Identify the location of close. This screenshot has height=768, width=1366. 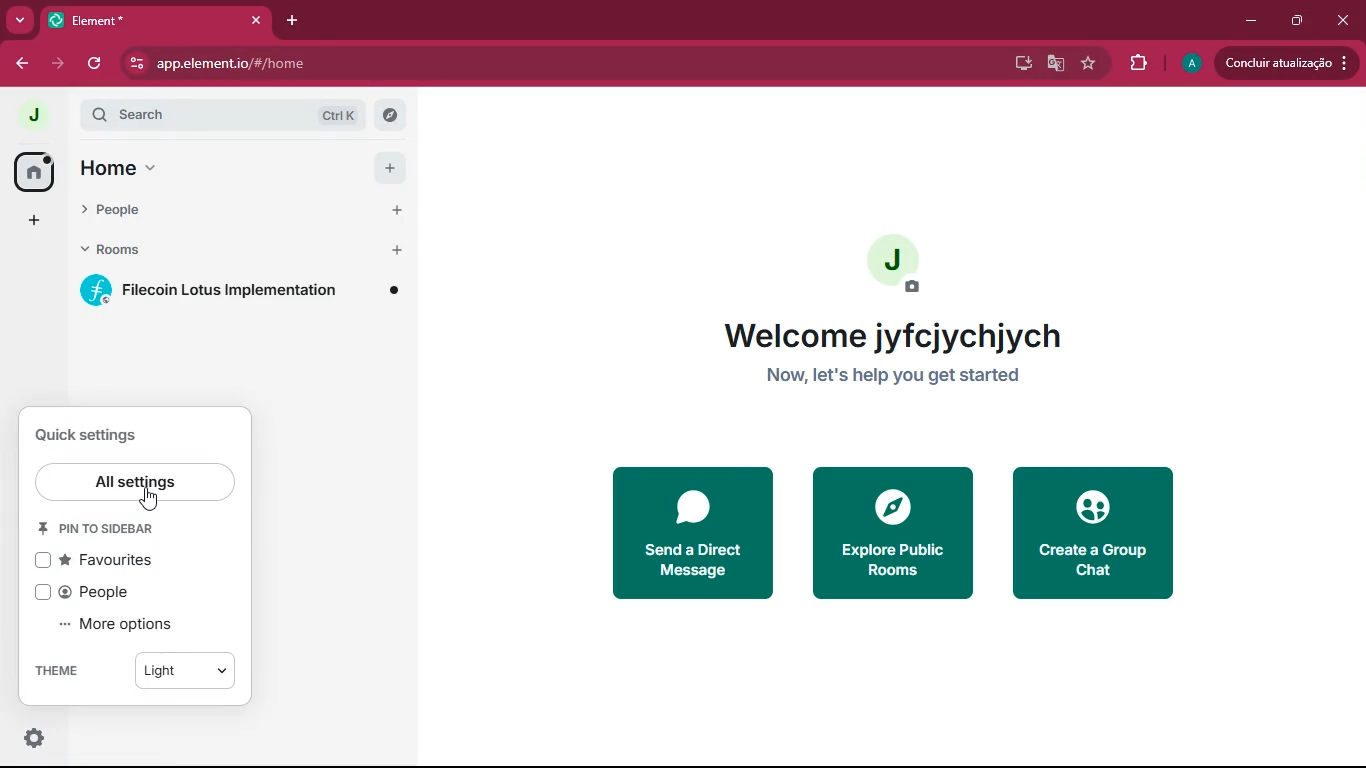
(251, 20).